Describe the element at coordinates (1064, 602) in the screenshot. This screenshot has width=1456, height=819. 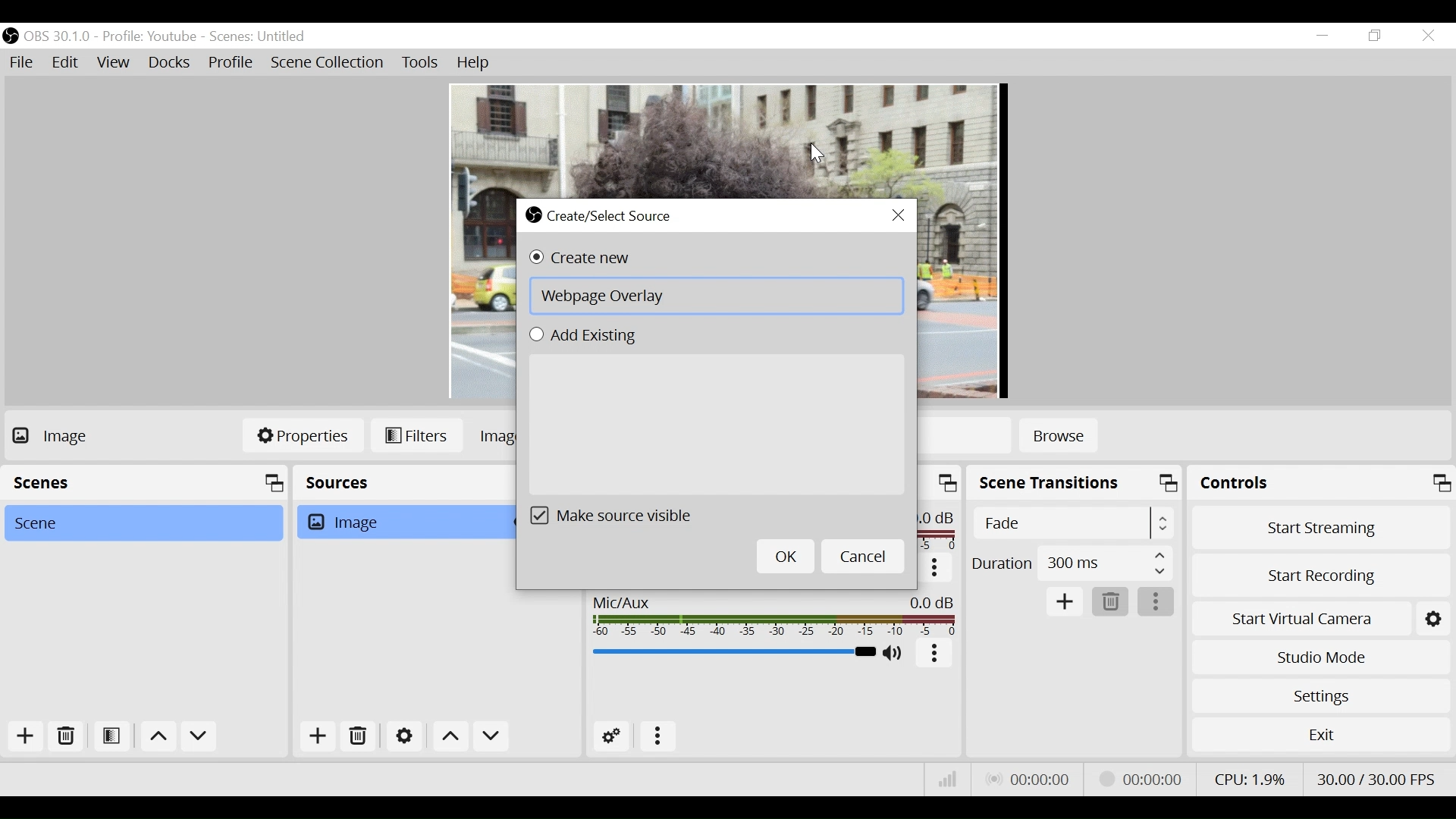
I see `Add` at that location.